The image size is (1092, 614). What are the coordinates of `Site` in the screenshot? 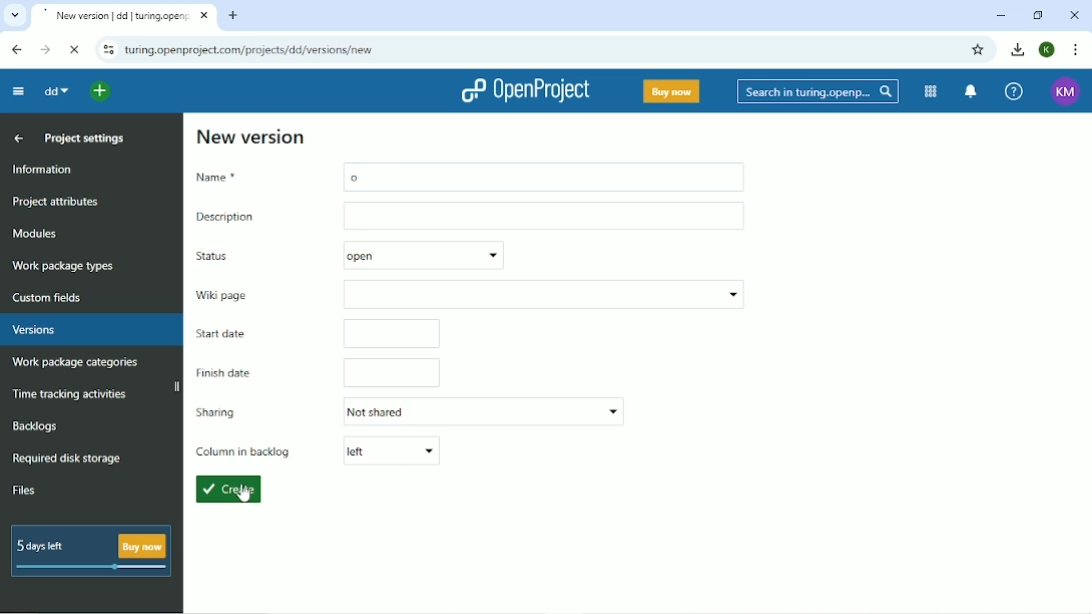 It's located at (250, 50).